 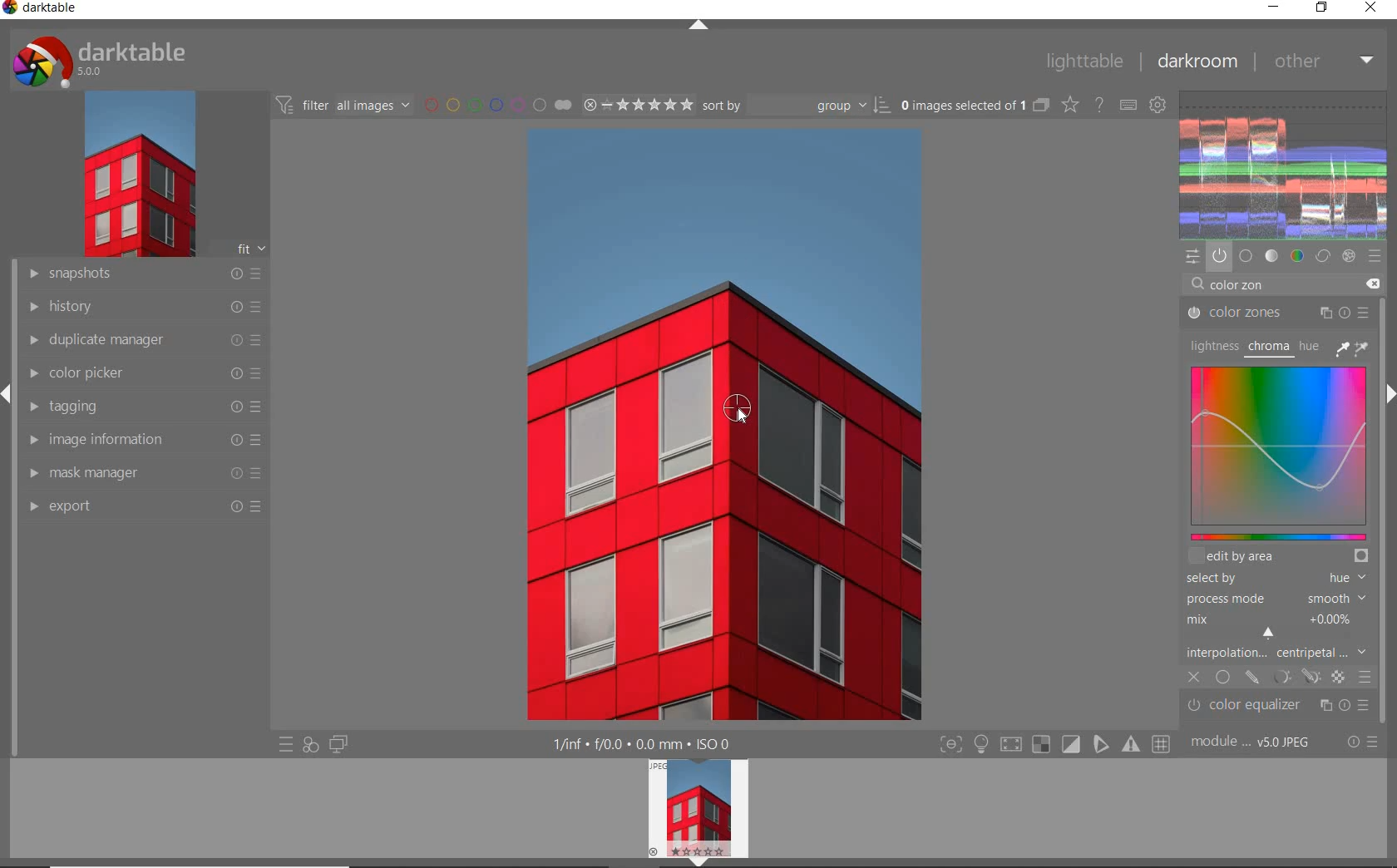 What do you see at coordinates (1294, 677) in the screenshot?
I see `MASK OPTIONS` at bounding box center [1294, 677].